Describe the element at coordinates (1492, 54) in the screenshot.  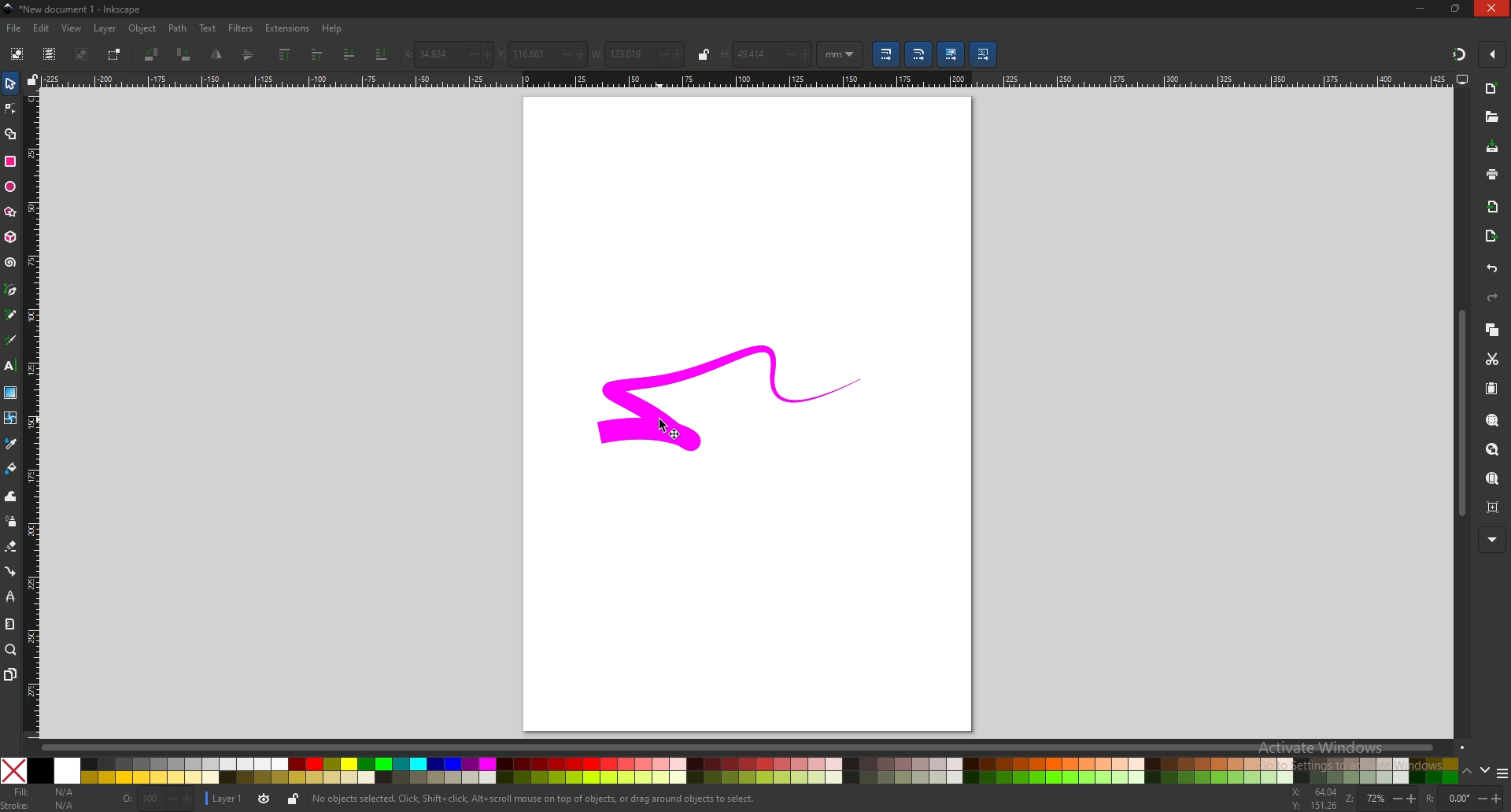
I see `enable snapping` at that location.